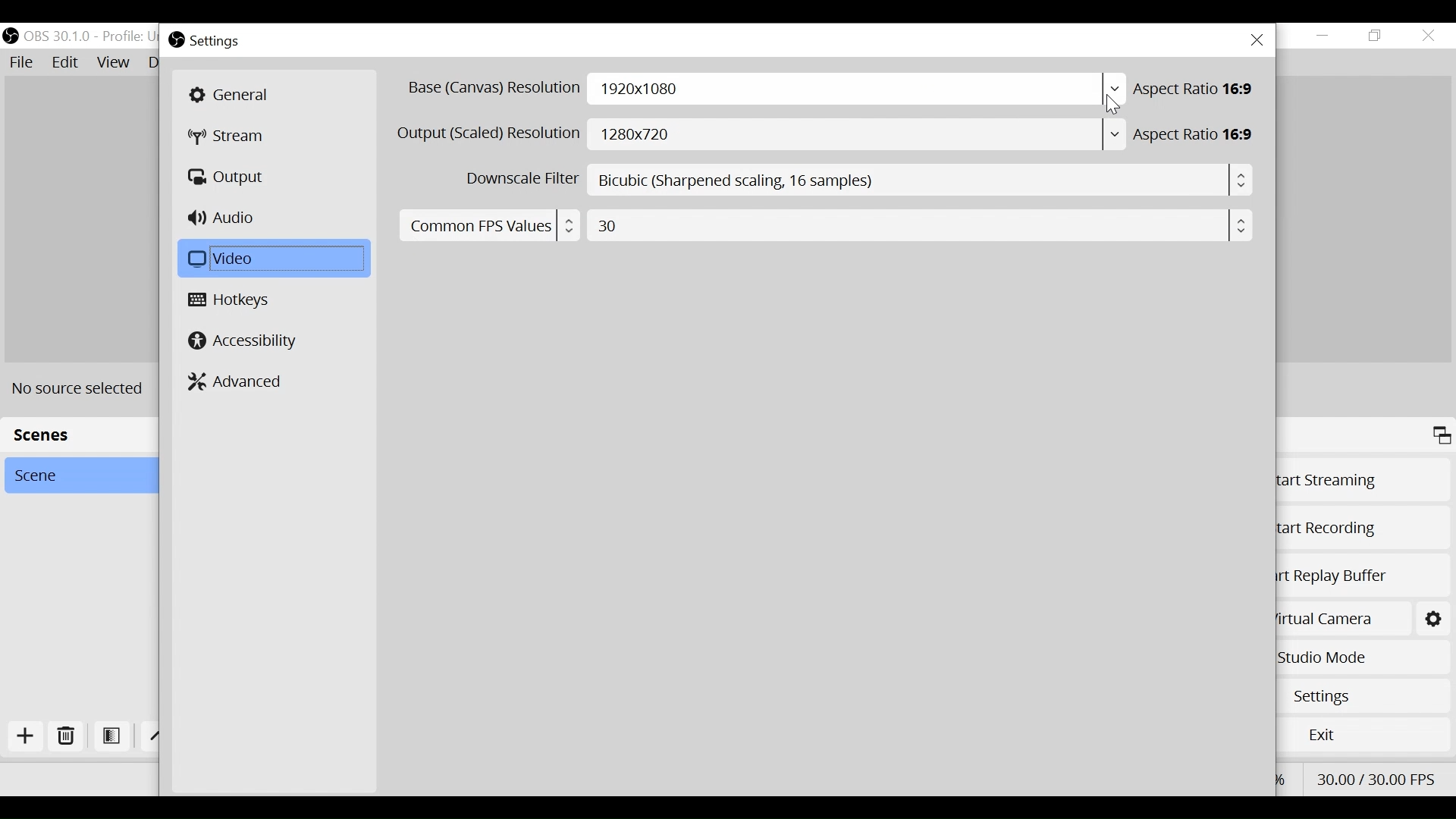  I want to click on OBS Studio Desktop Icon, so click(10, 33).